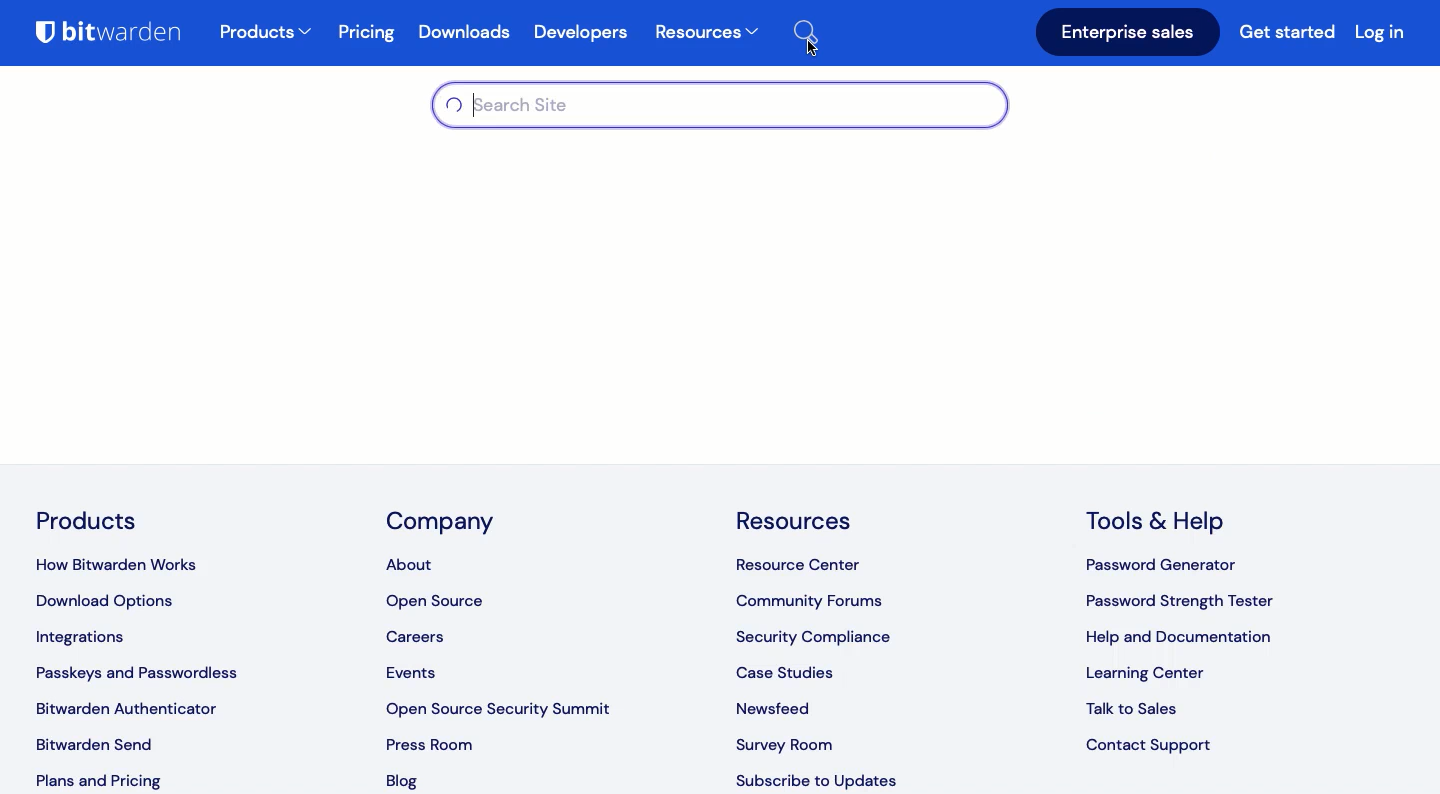 This screenshot has width=1440, height=794. I want to click on open source, so click(438, 602).